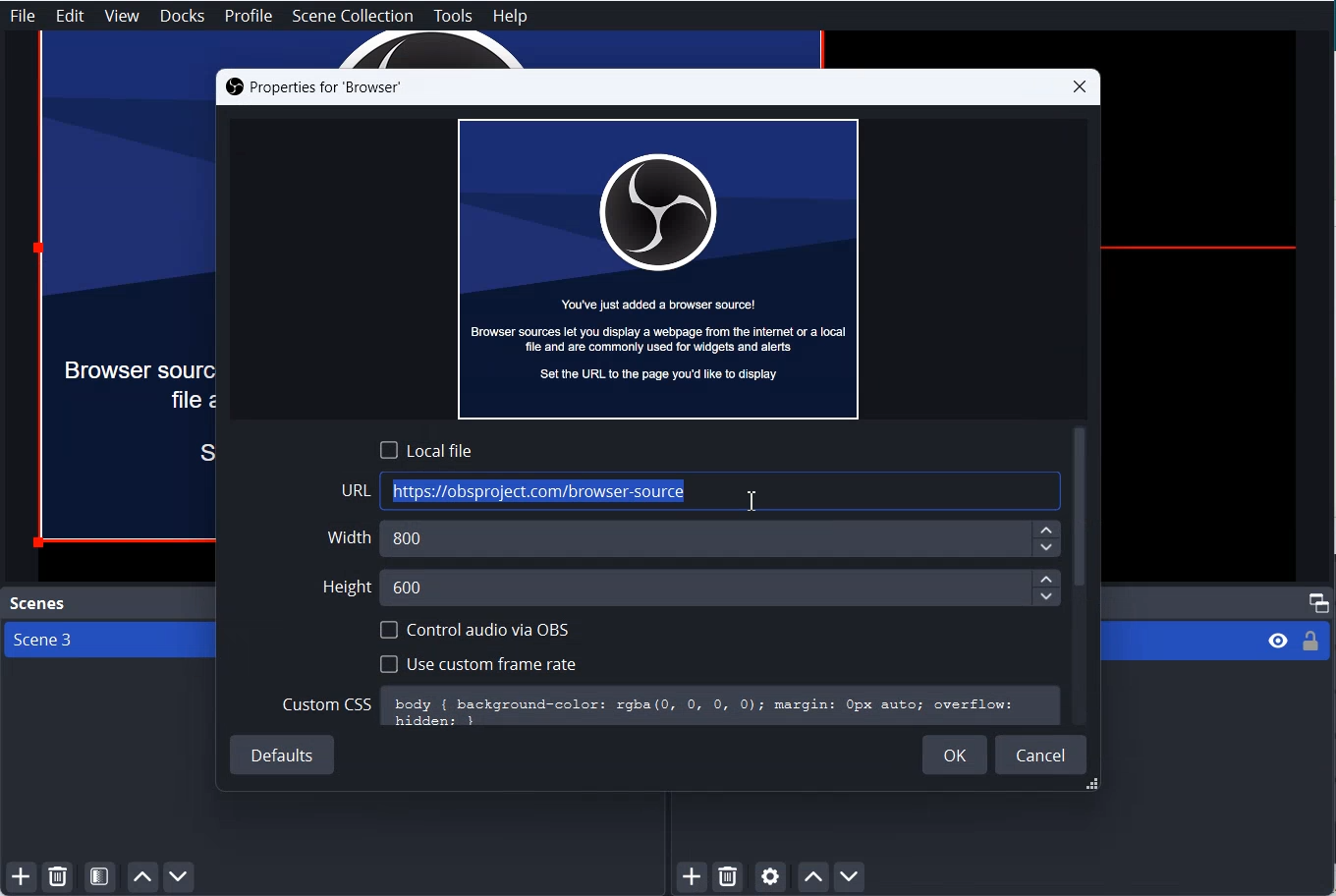 Image resolution: width=1336 pixels, height=896 pixels. What do you see at coordinates (769, 878) in the screenshot?
I see `Open Source Settings` at bounding box center [769, 878].